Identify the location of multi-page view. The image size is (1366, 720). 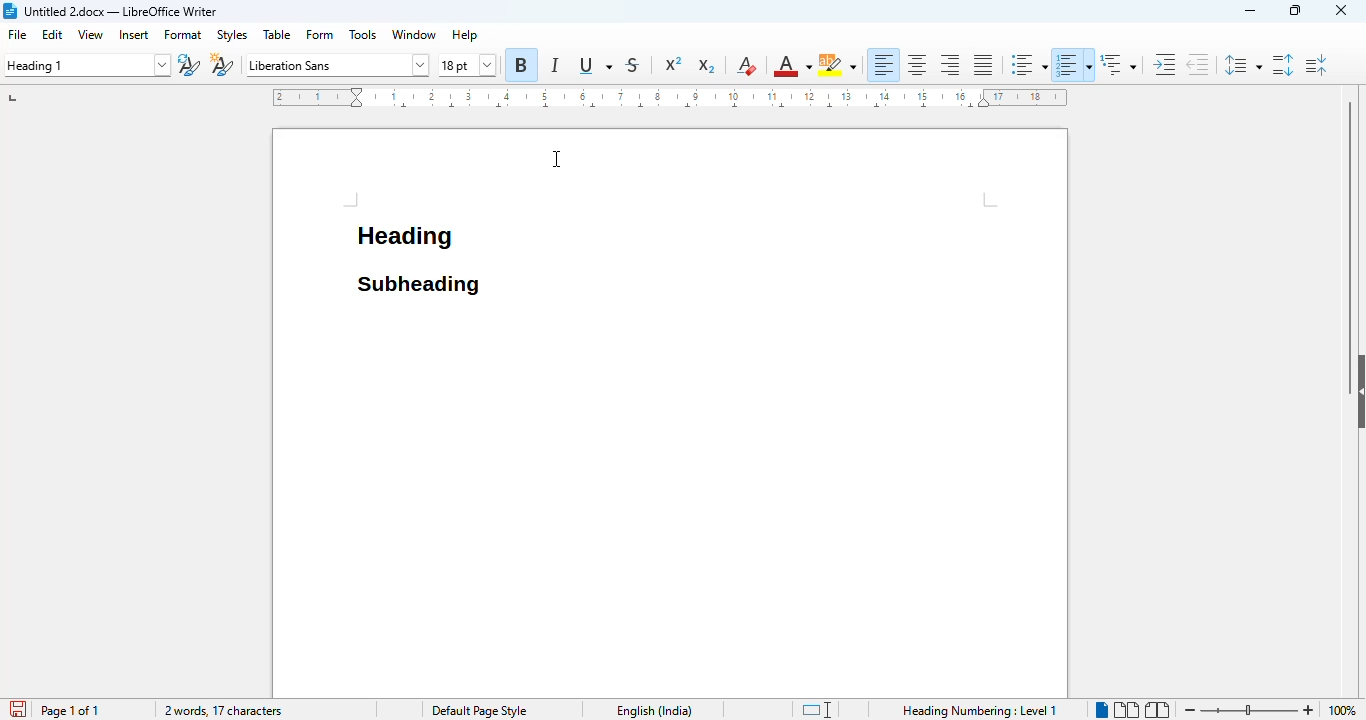
(1126, 710).